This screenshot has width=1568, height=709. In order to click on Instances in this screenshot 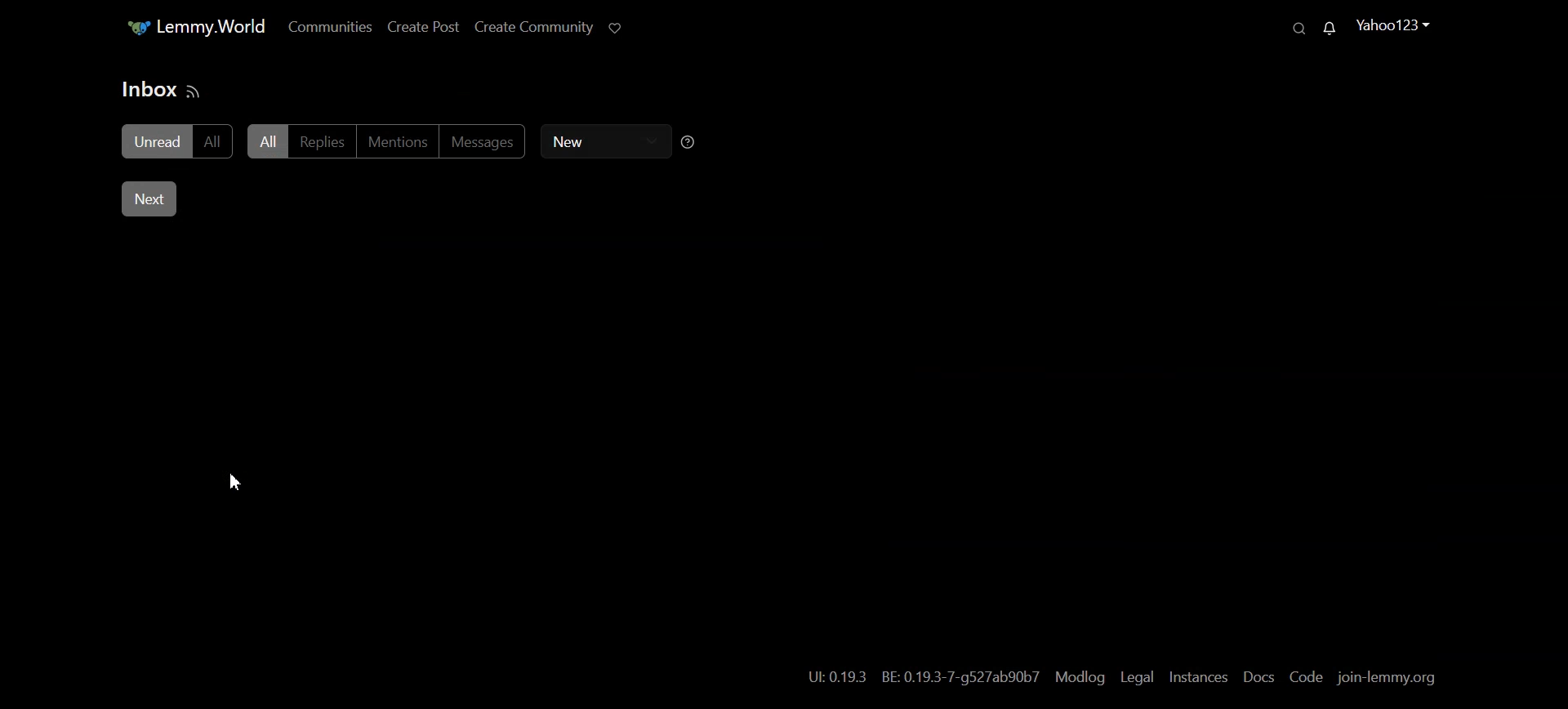, I will do `click(1199, 678)`.